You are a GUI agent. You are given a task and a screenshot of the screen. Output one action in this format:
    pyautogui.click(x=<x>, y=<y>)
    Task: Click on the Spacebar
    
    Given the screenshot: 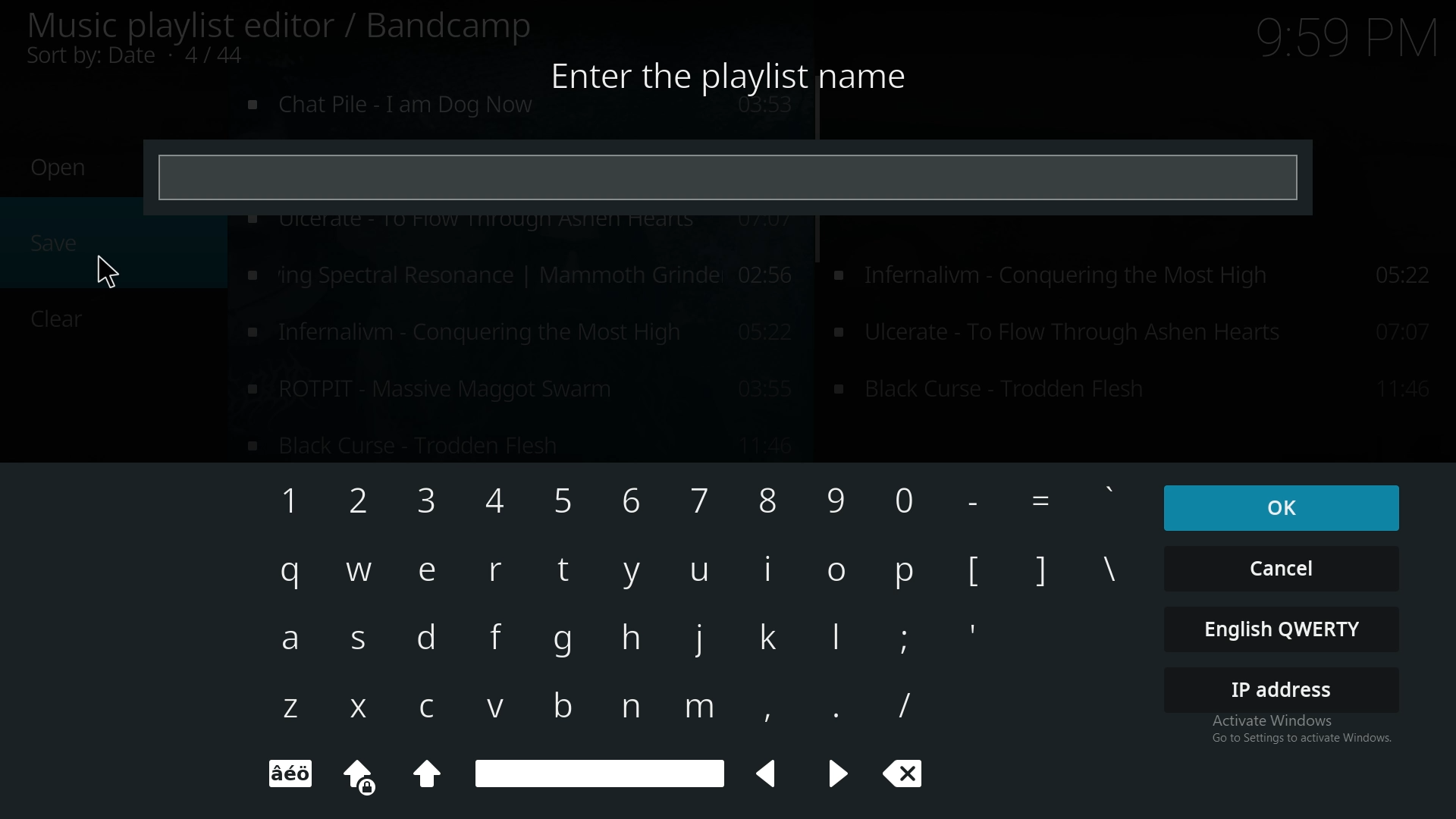 What is the action you would take?
    pyautogui.click(x=600, y=773)
    